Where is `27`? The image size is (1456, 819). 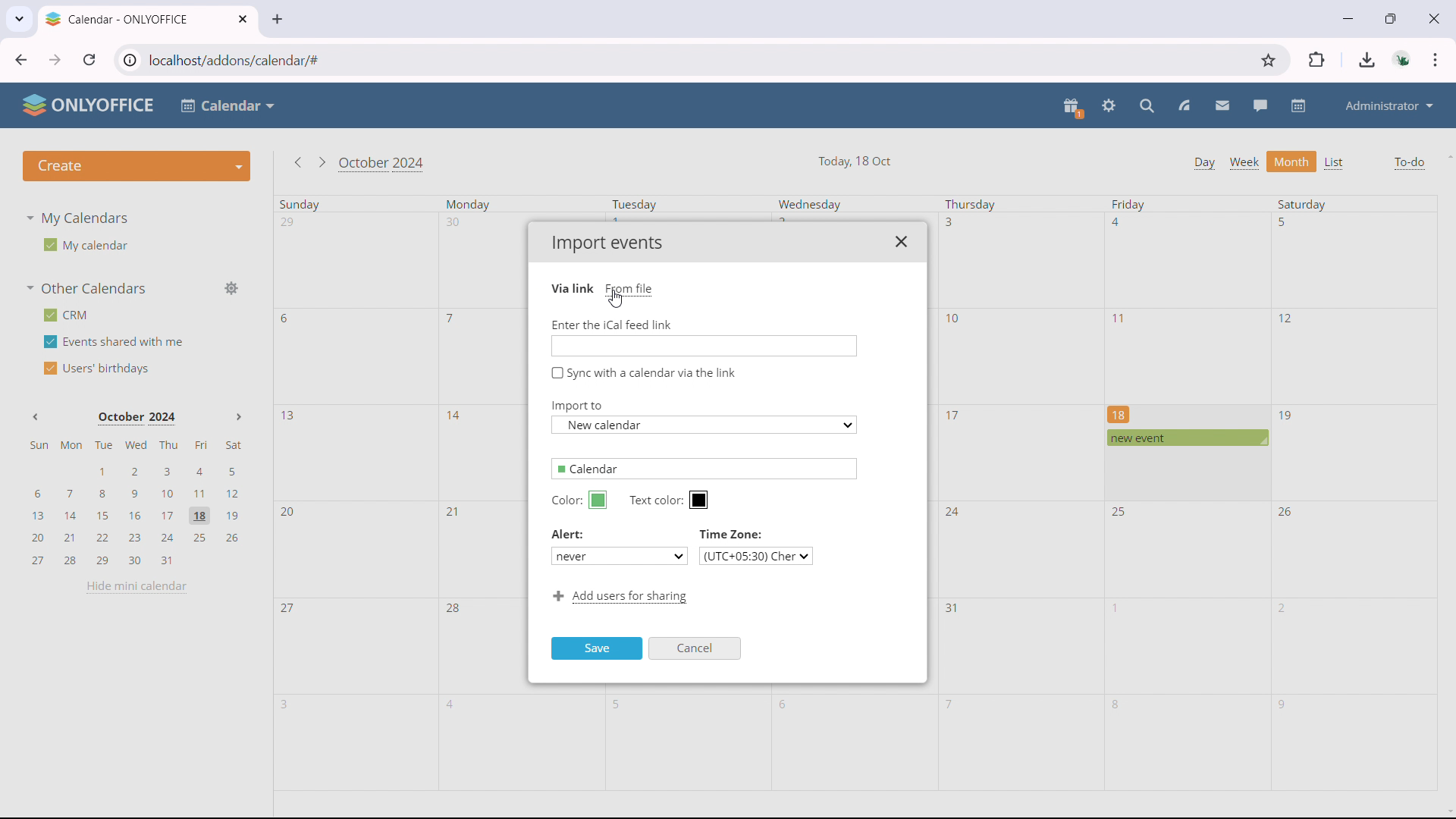 27 is located at coordinates (289, 610).